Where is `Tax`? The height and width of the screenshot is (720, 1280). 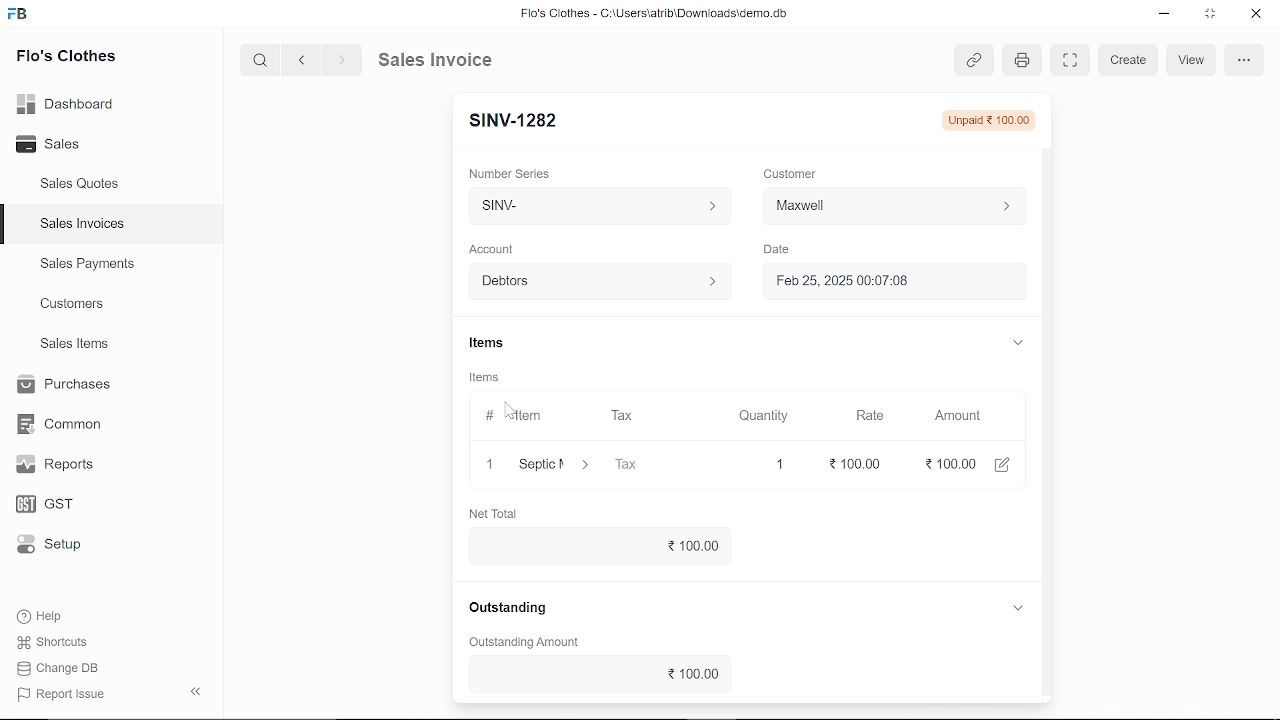 Tax is located at coordinates (634, 464).